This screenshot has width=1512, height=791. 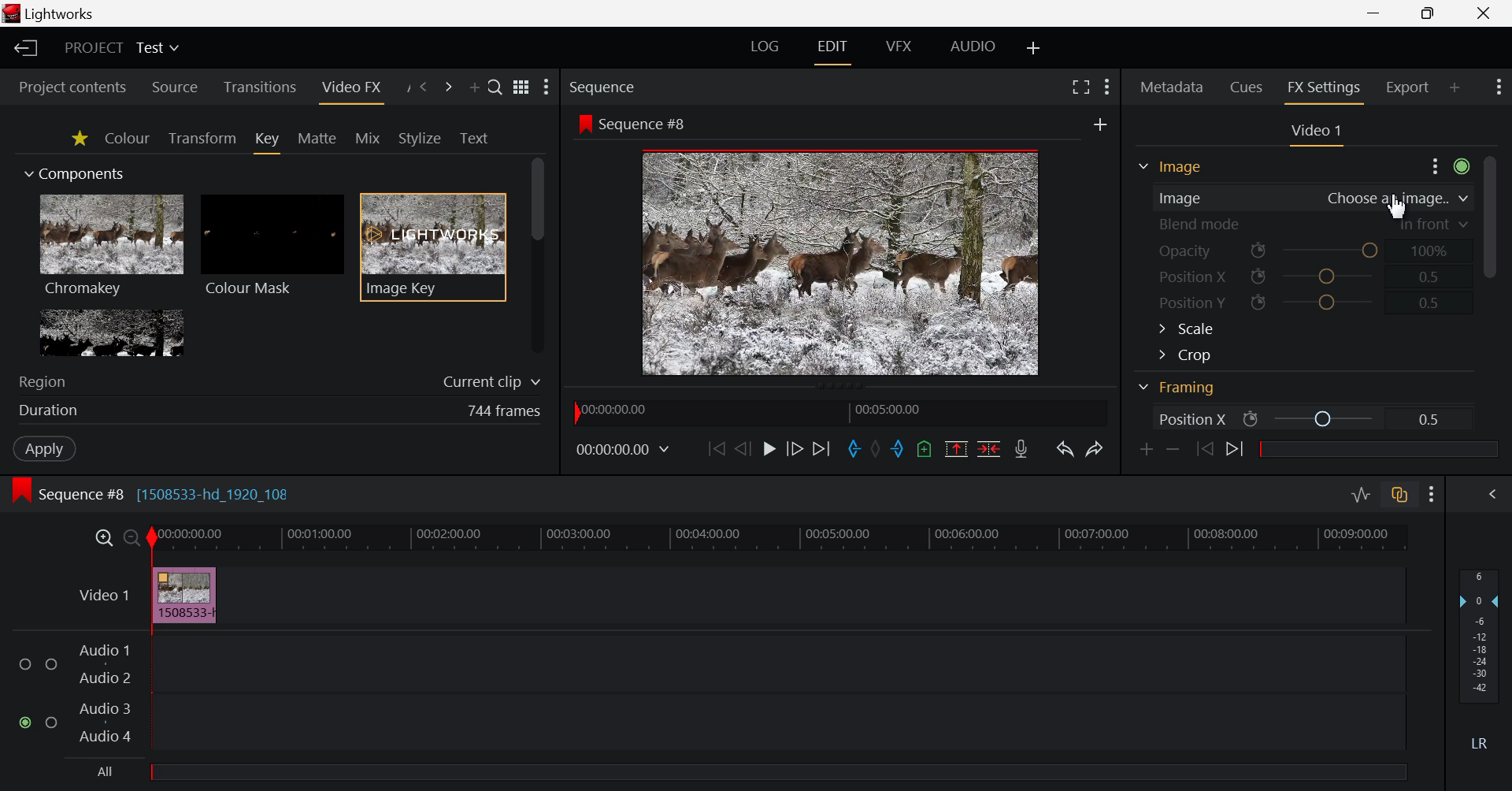 What do you see at coordinates (622, 447) in the screenshot?
I see `00:00:00:00` at bounding box center [622, 447].